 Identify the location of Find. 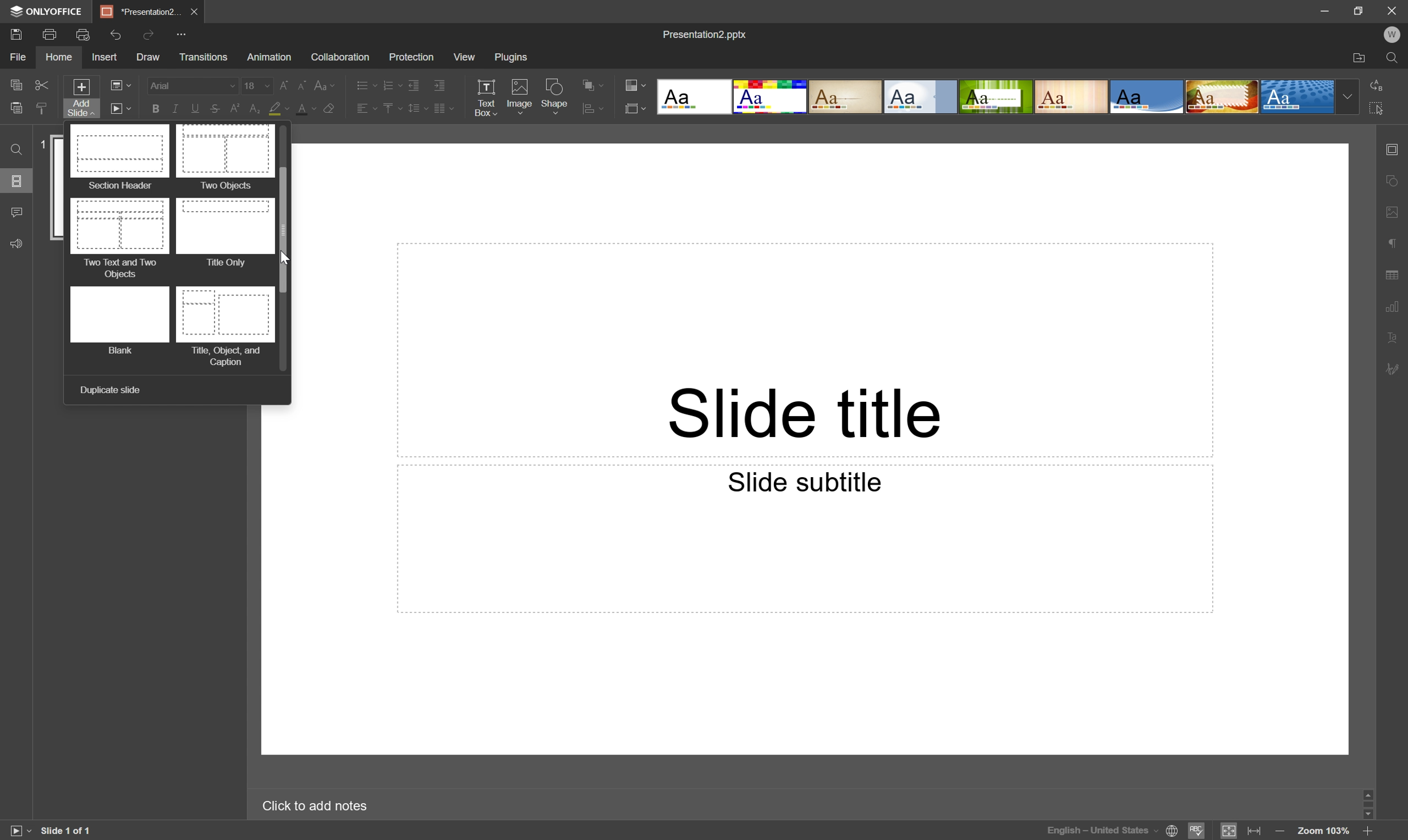
(15, 150).